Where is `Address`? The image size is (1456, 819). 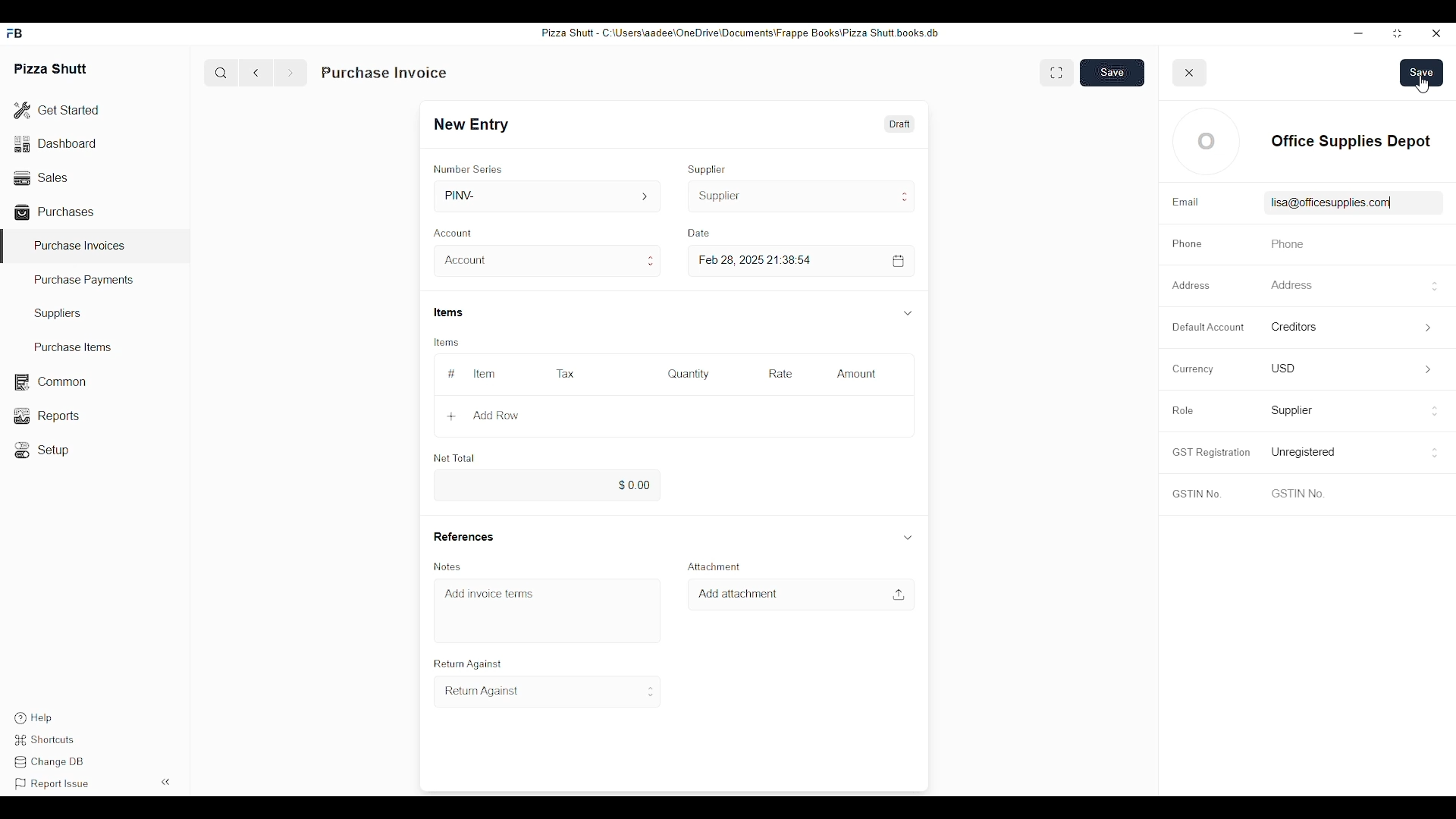
Address is located at coordinates (1290, 284).